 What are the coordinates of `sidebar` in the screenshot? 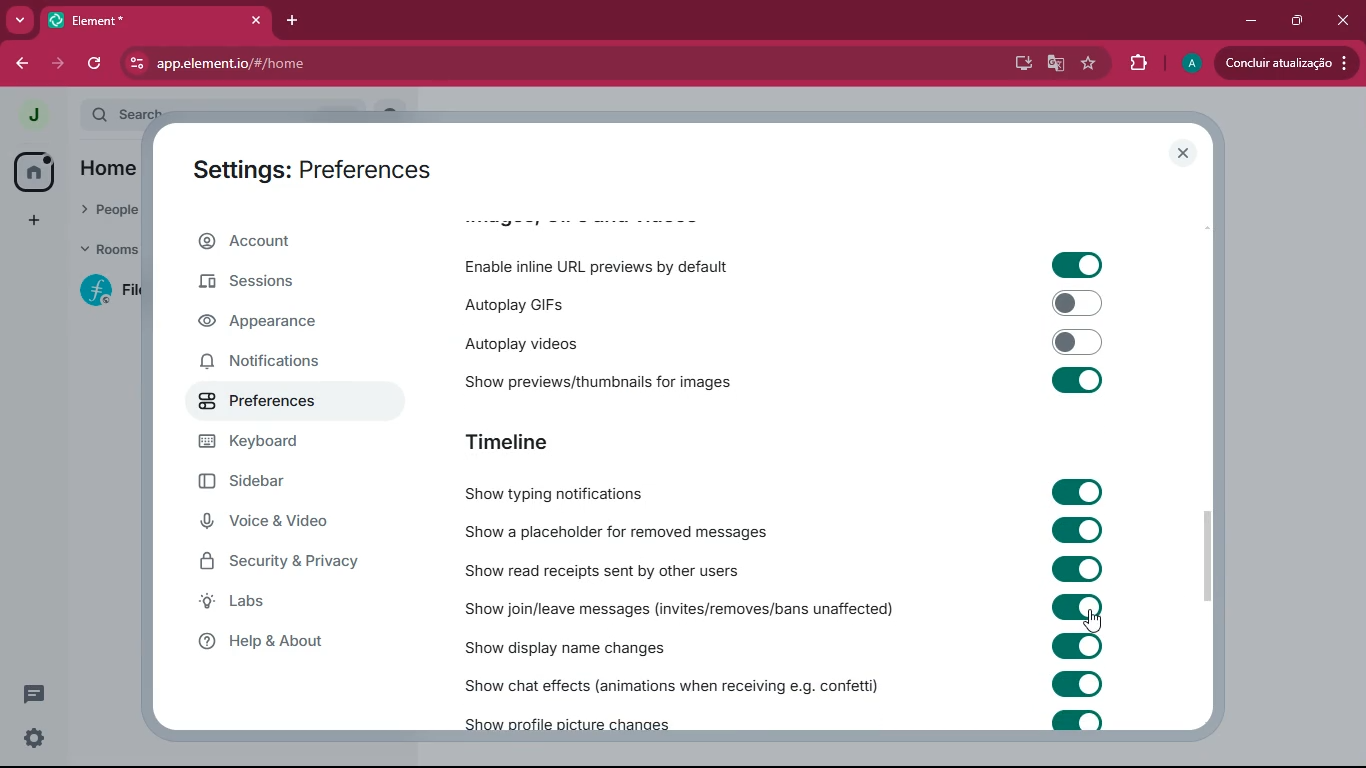 It's located at (272, 482).